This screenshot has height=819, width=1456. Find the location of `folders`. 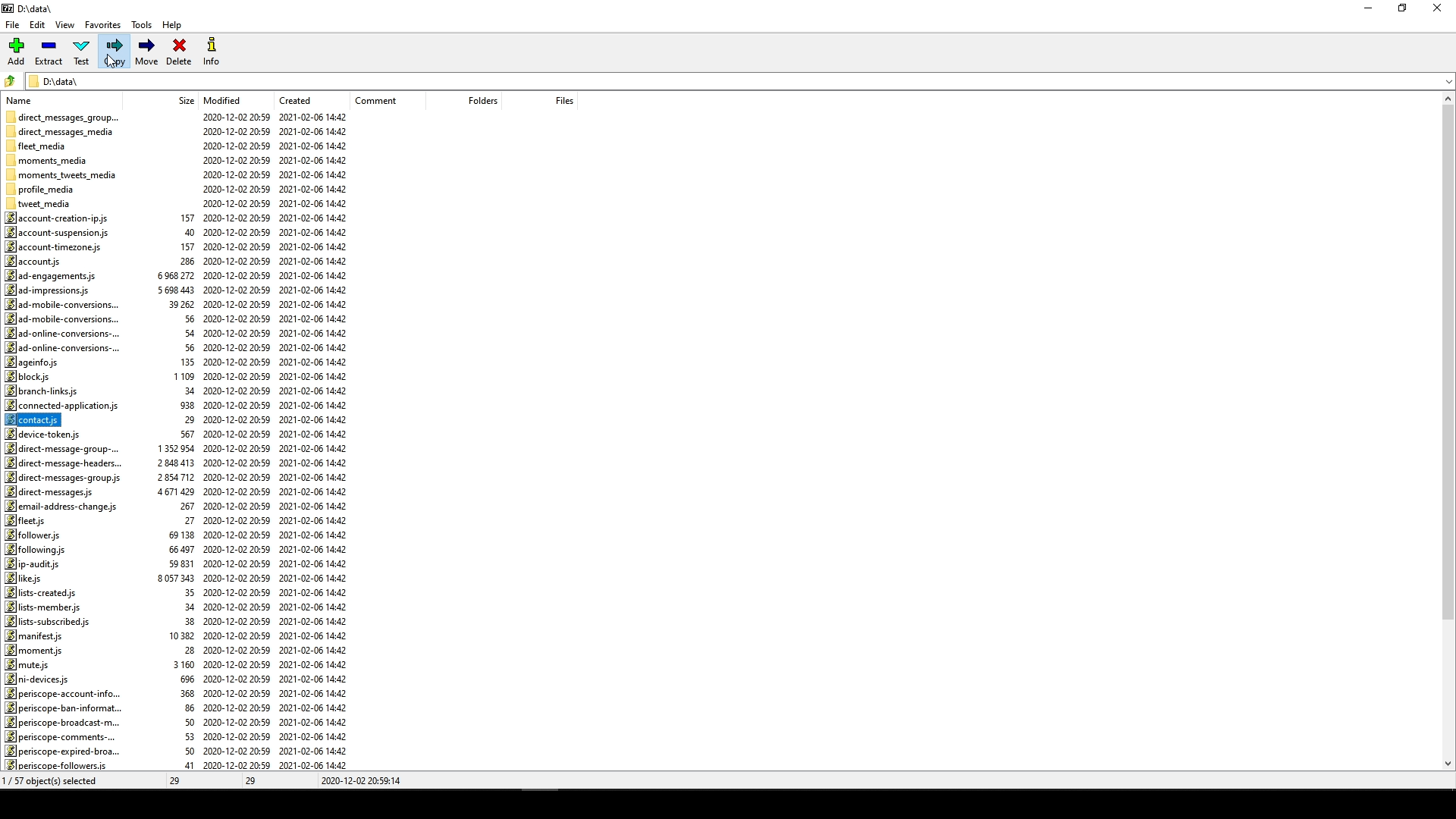

folders is located at coordinates (472, 102).